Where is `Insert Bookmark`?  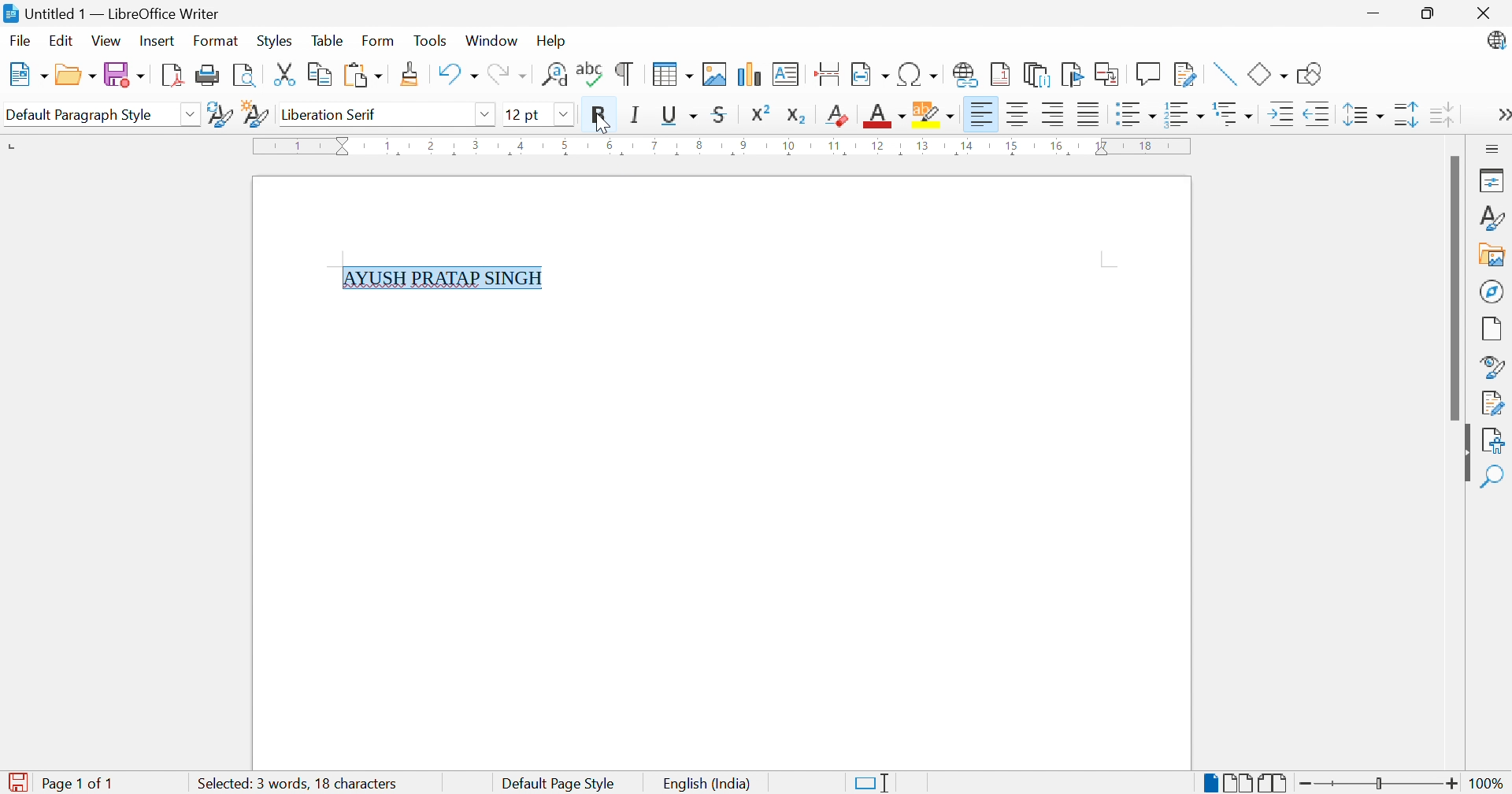
Insert Bookmark is located at coordinates (1070, 74).